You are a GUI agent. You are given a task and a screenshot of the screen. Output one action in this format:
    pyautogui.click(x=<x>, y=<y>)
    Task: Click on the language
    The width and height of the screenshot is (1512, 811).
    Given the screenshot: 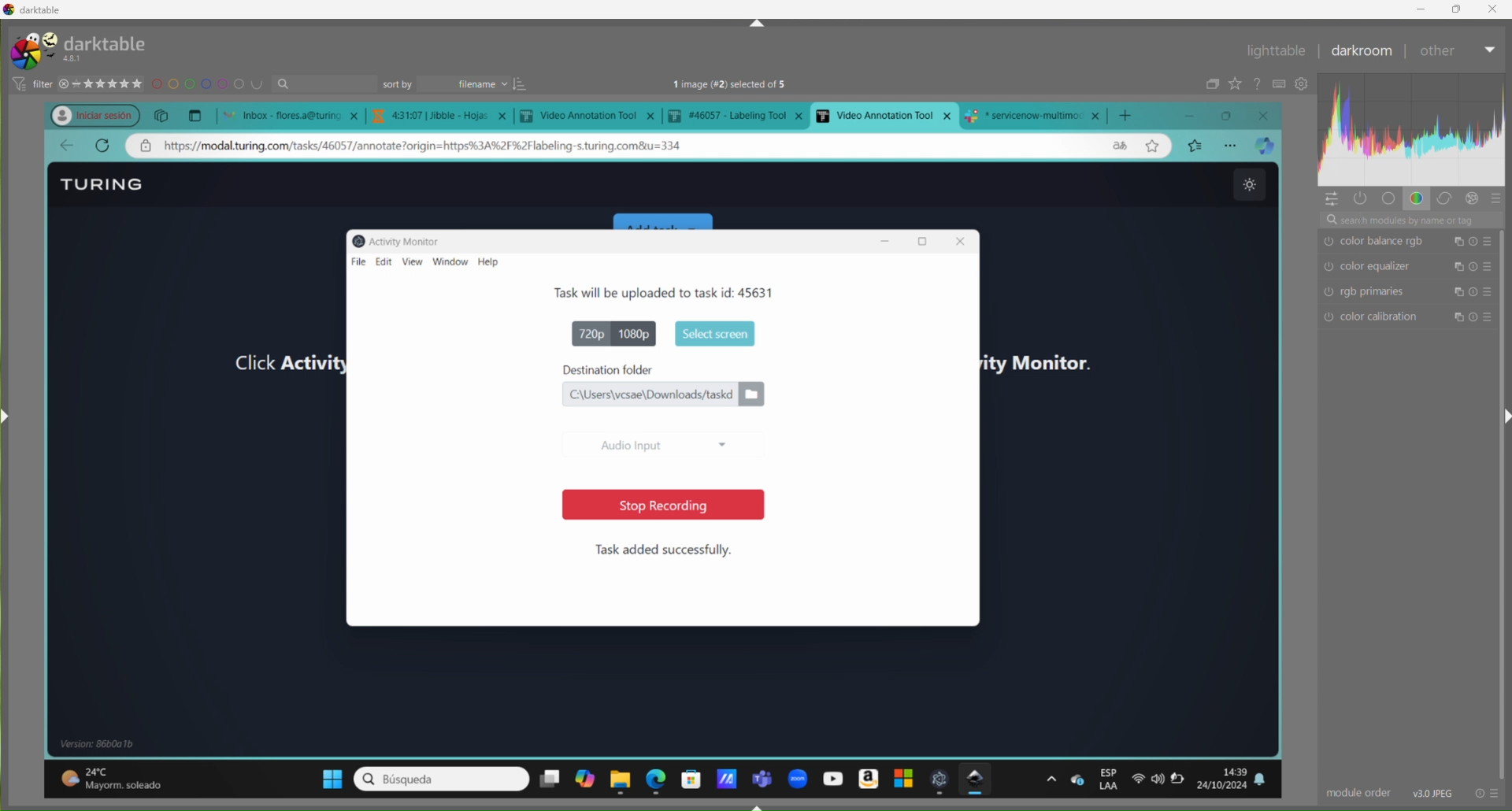 What is the action you would take?
    pyautogui.click(x=1117, y=146)
    